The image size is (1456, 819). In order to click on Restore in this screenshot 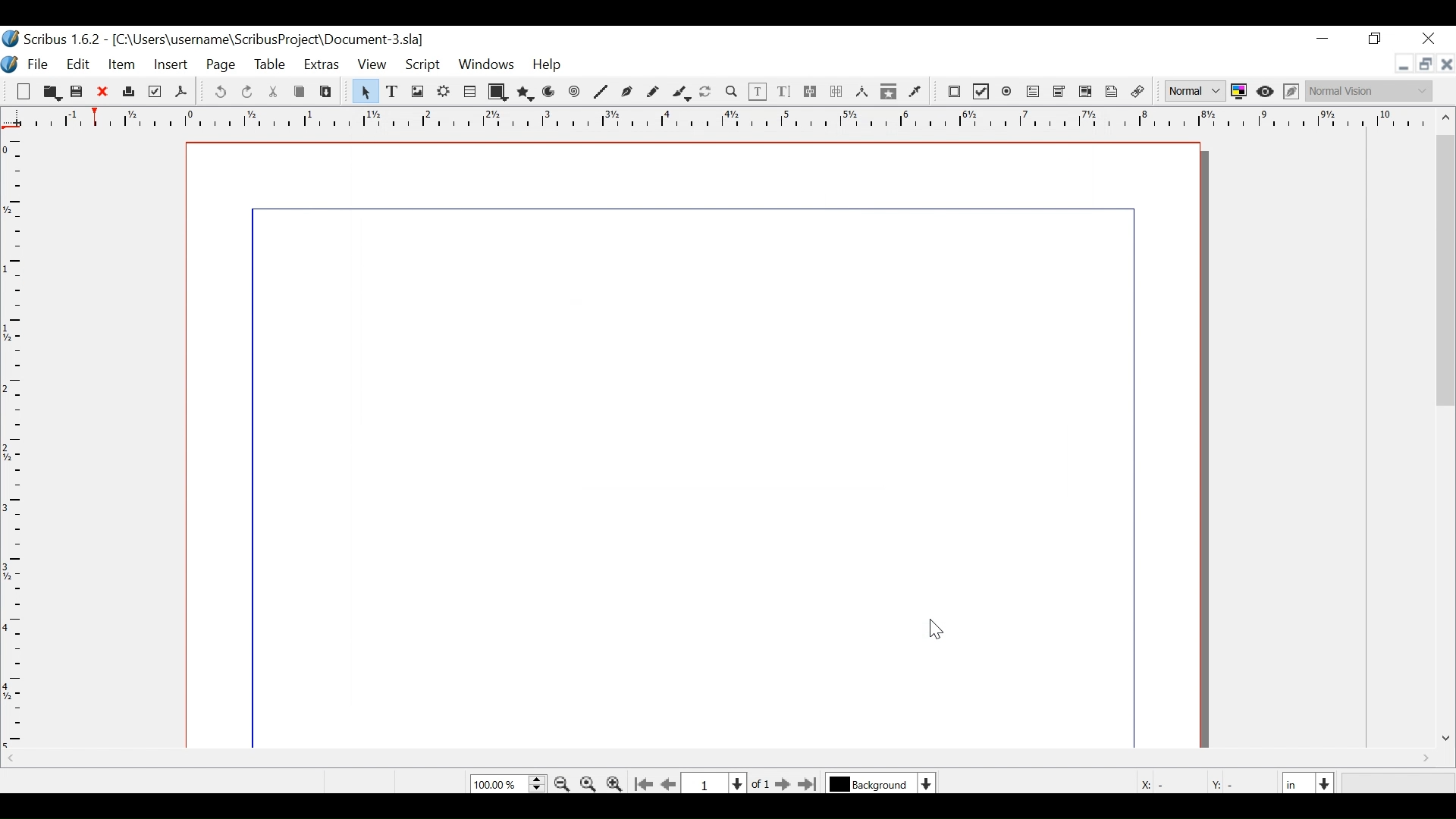, I will do `click(1423, 64)`.